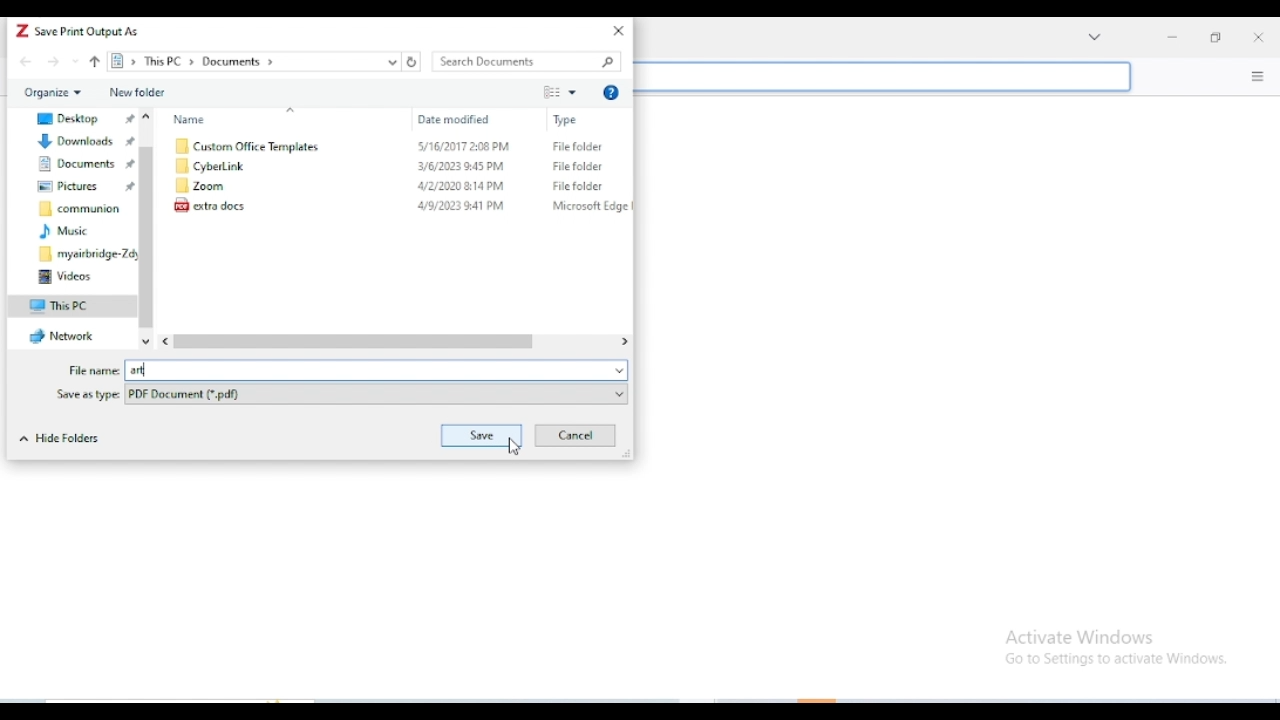  What do you see at coordinates (251, 62) in the screenshot?
I see `> This PC > Documents >` at bounding box center [251, 62].